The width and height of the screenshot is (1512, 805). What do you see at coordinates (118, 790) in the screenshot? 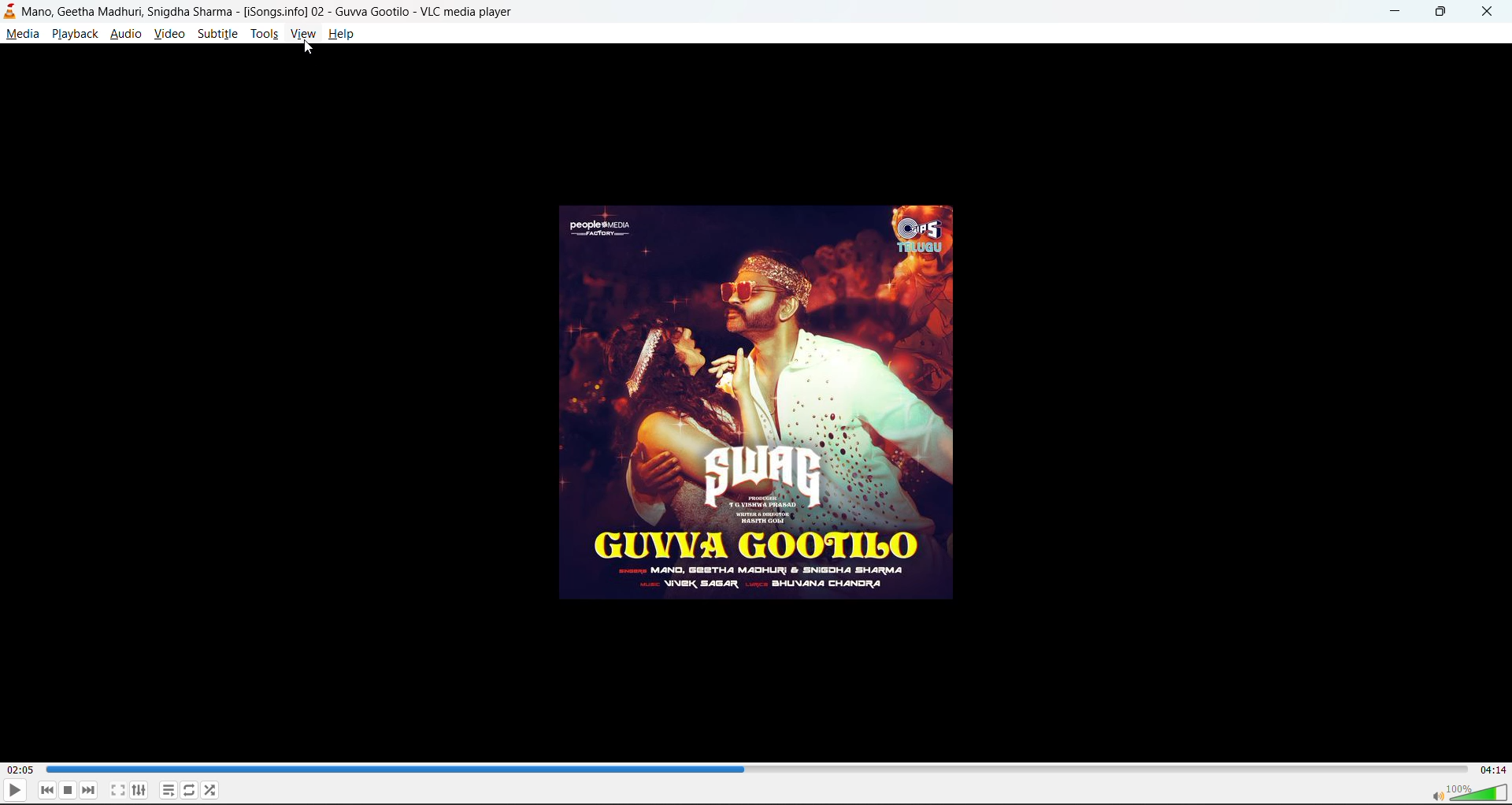
I see `toggle fullscreen` at bounding box center [118, 790].